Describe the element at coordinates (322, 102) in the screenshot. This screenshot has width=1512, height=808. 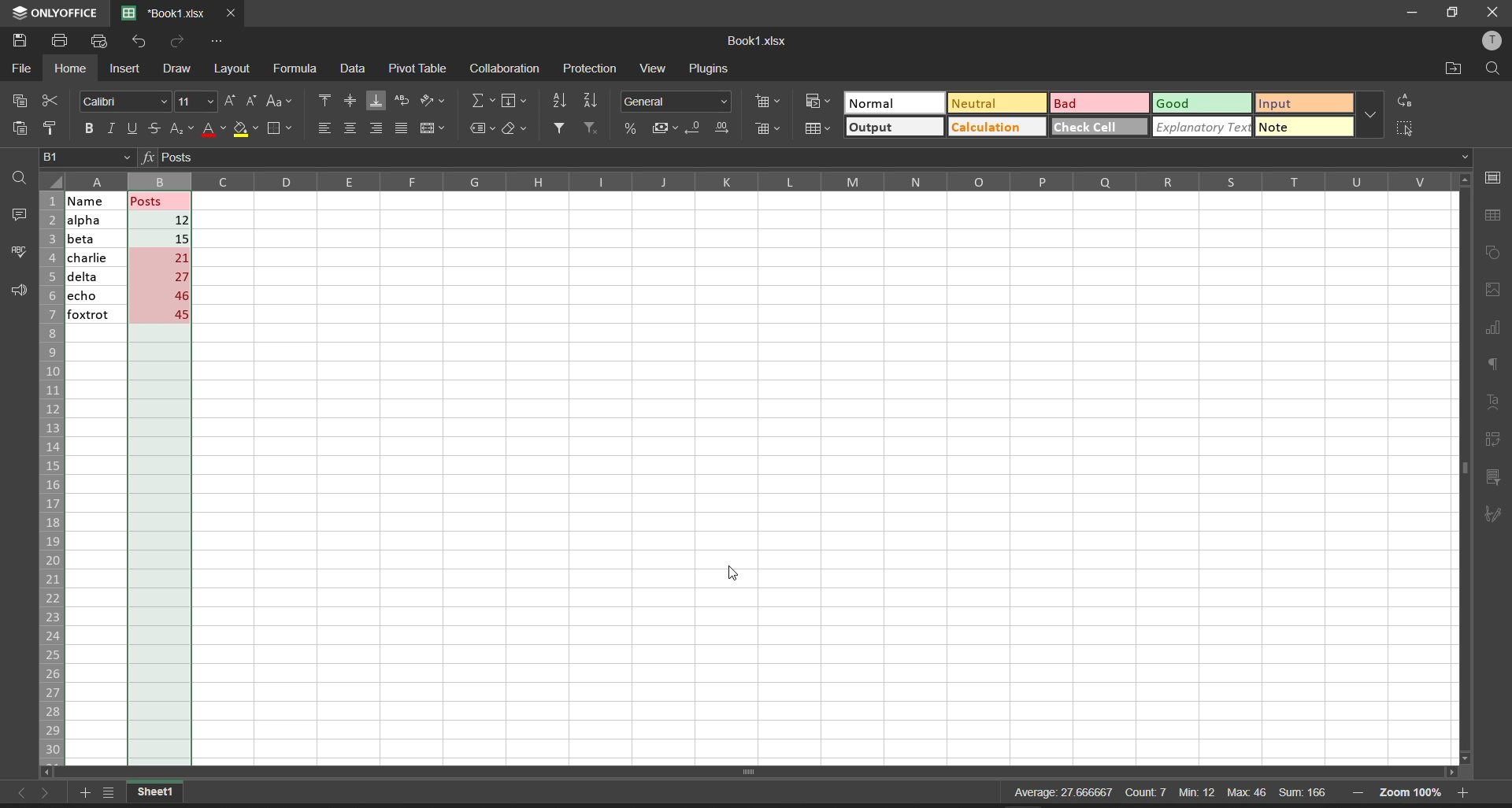
I see `align top` at that location.